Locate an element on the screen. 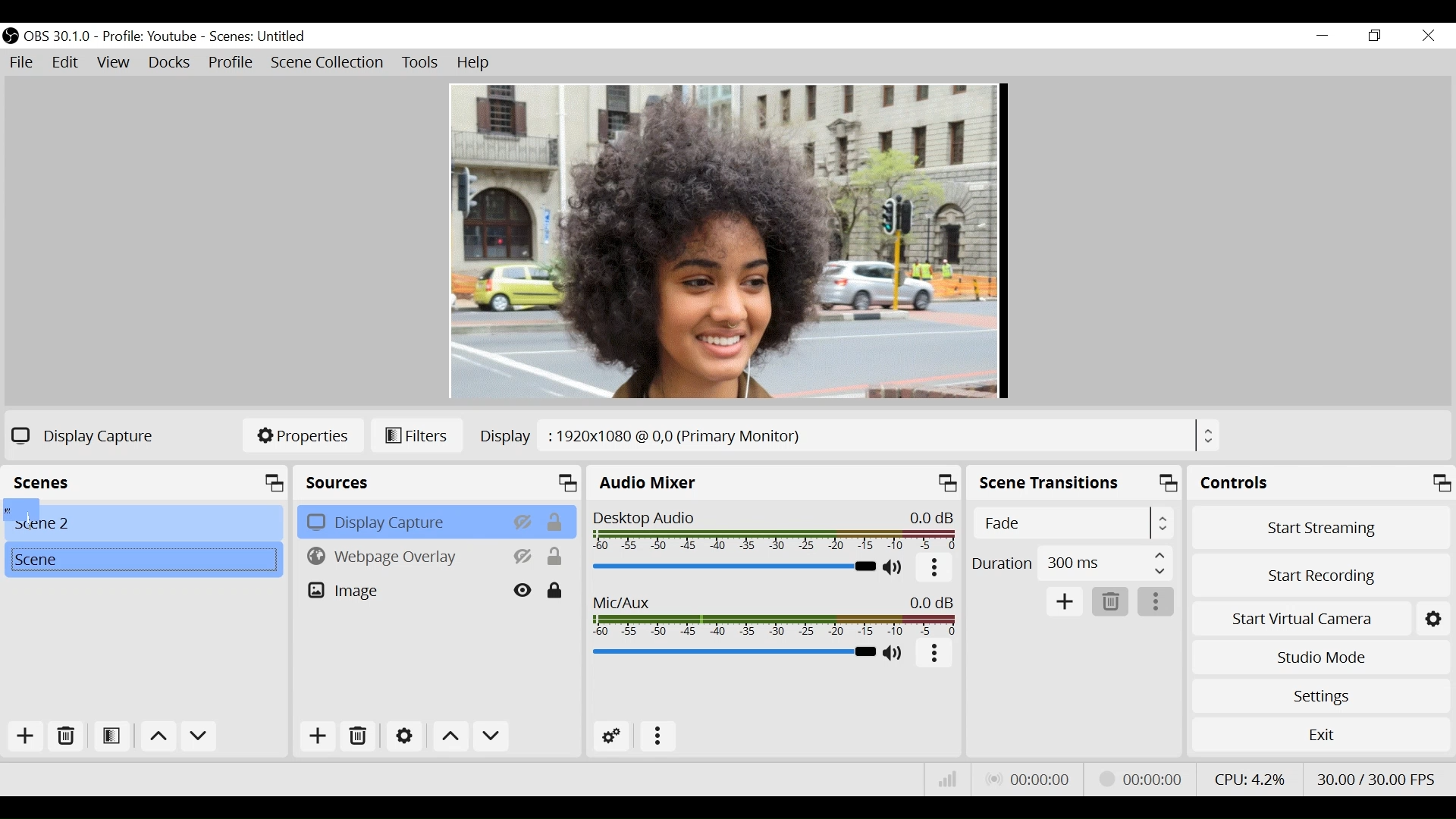 This screenshot has width=1456, height=819. Exit is located at coordinates (1317, 736).